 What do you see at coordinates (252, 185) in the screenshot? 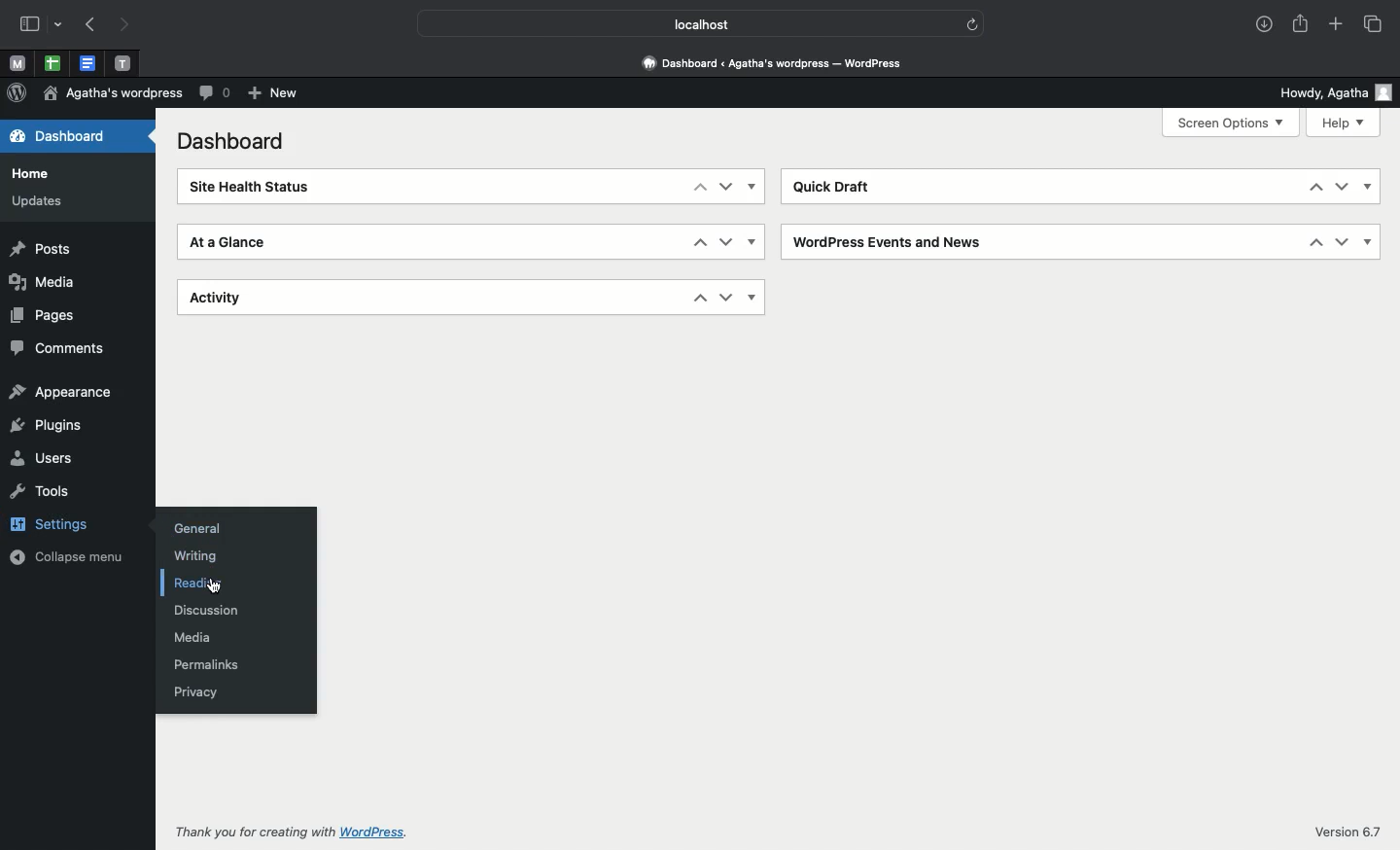
I see `Site health status` at bounding box center [252, 185].